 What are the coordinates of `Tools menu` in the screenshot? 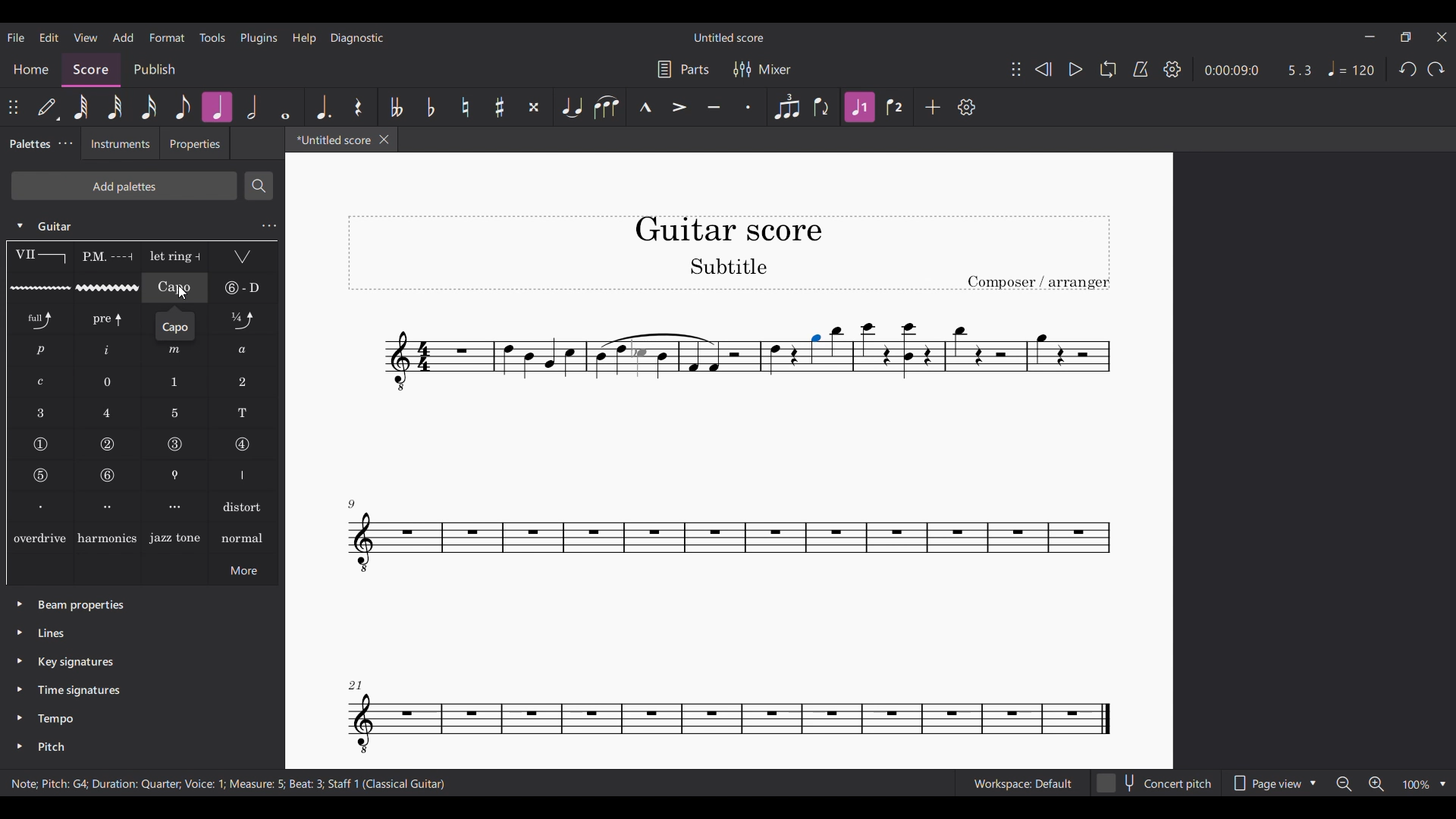 It's located at (212, 37).